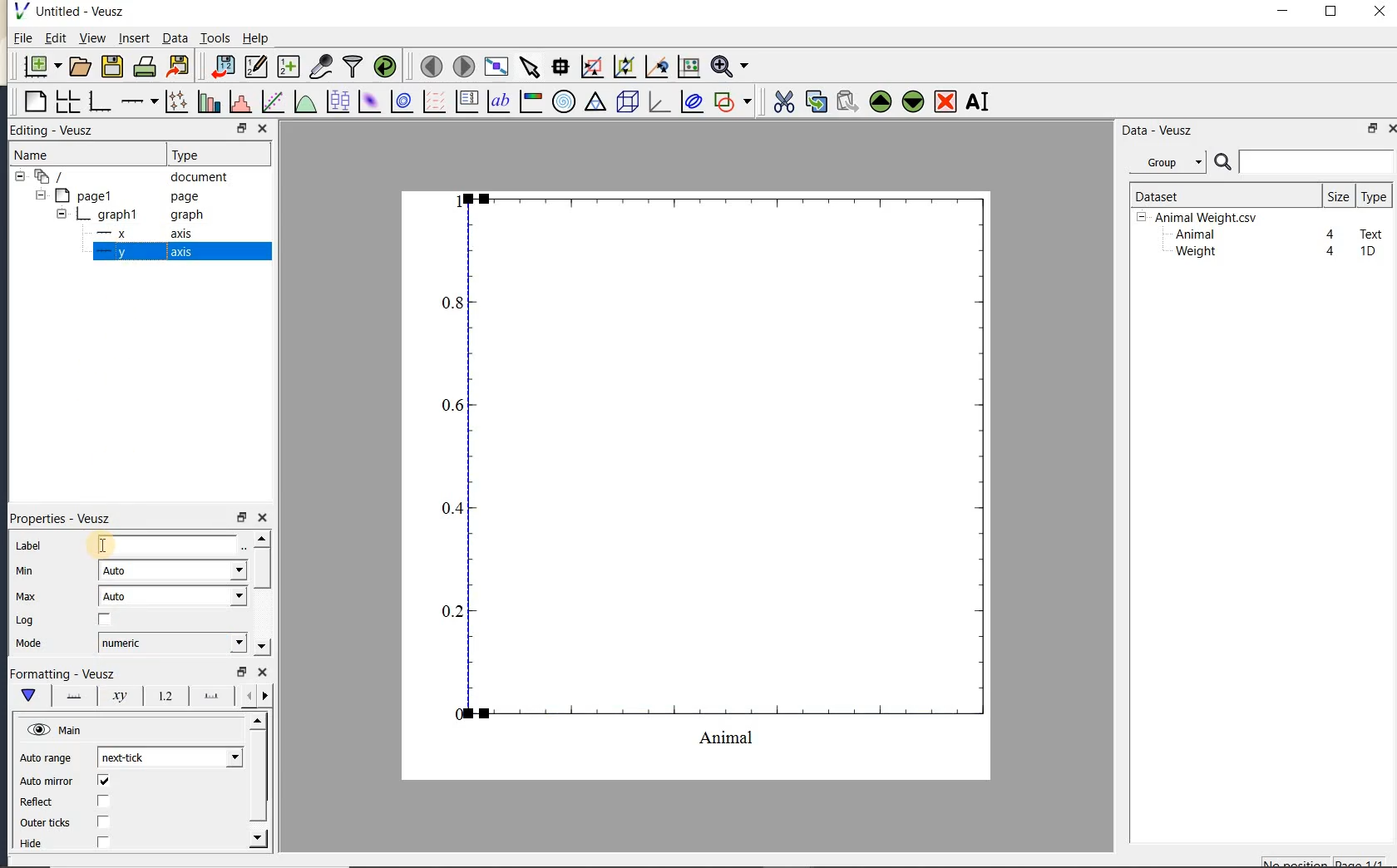 Image resolution: width=1397 pixels, height=868 pixels. Describe the element at coordinates (976, 101) in the screenshot. I see `renames the selected widget` at that location.